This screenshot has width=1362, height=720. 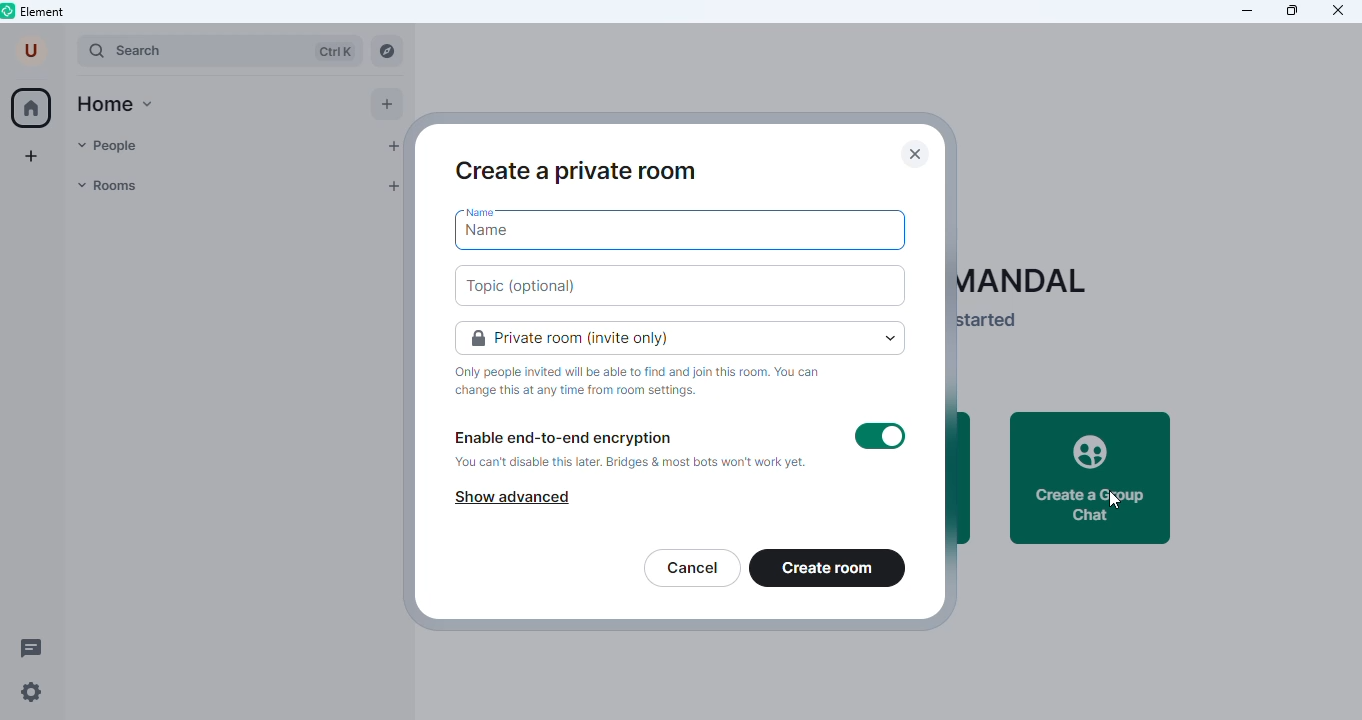 I want to click on choose room type, so click(x=678, y=339).